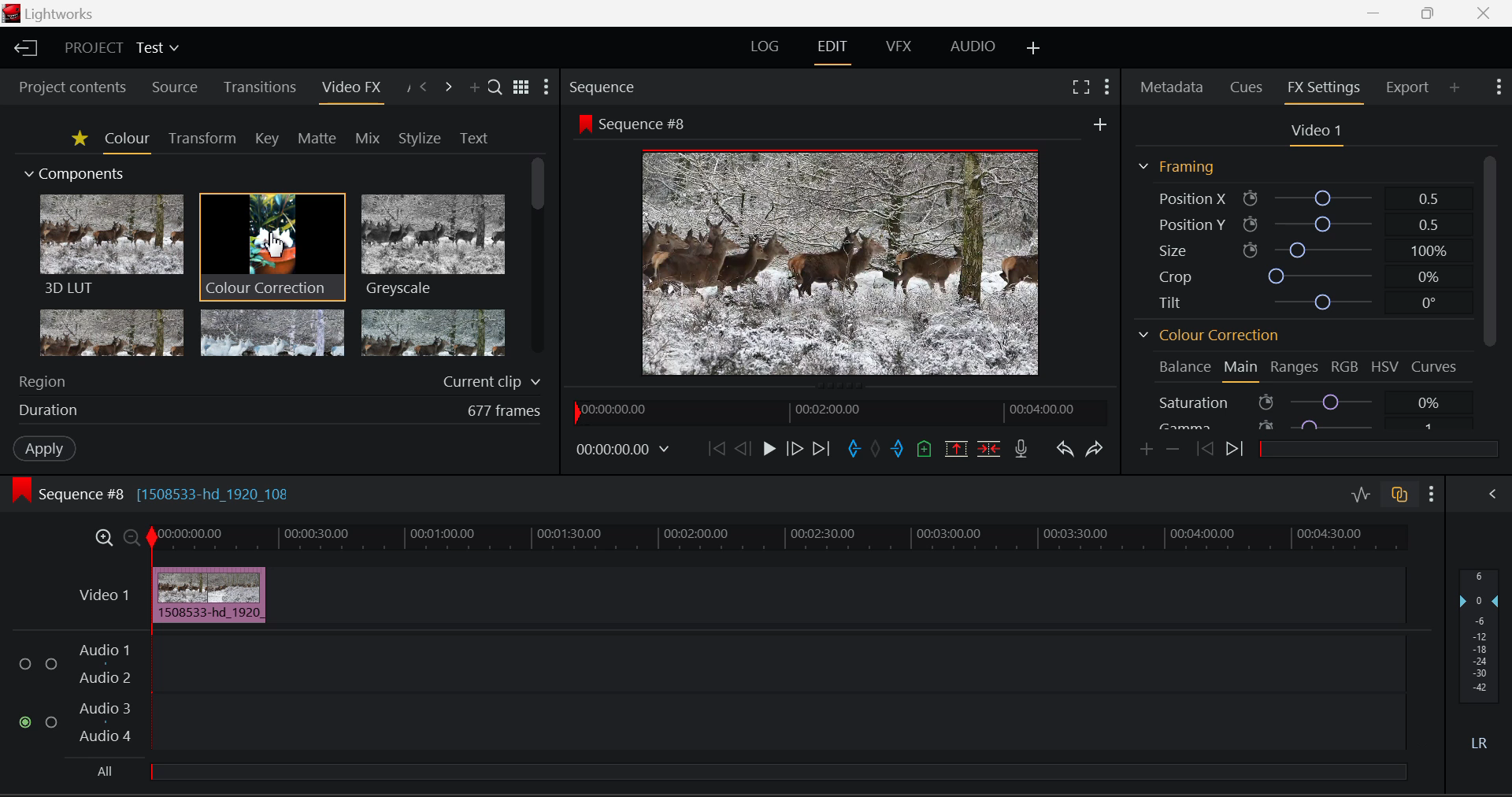 The image size is (1512, 797). Describe the element at coordinates (833, 50) in the screenshot. I see `EDIT Layout Open` at that location.